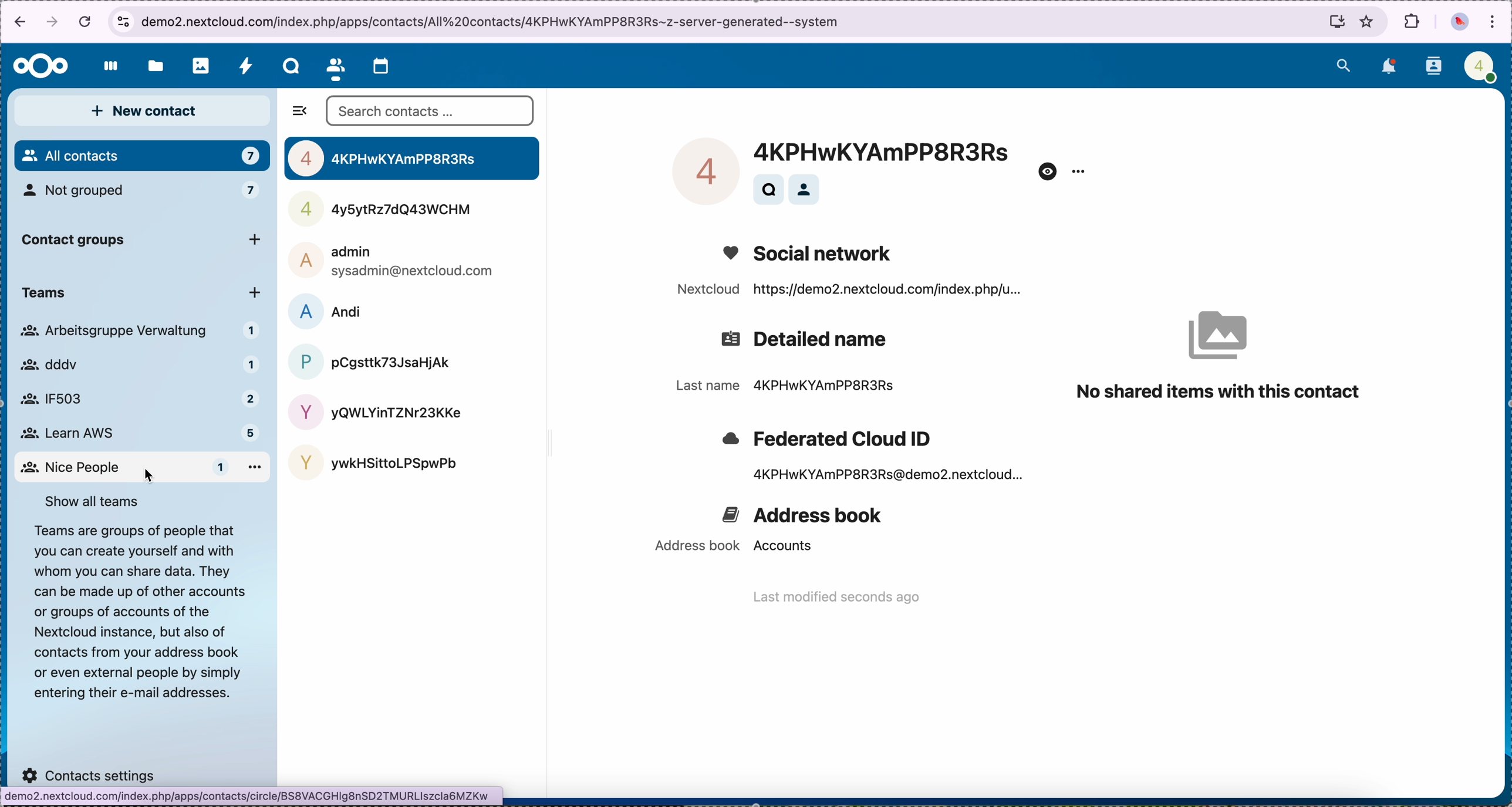 The width and height of the screenshot is (1512, 807). I want to click on learn AWS, so click(141, 433).